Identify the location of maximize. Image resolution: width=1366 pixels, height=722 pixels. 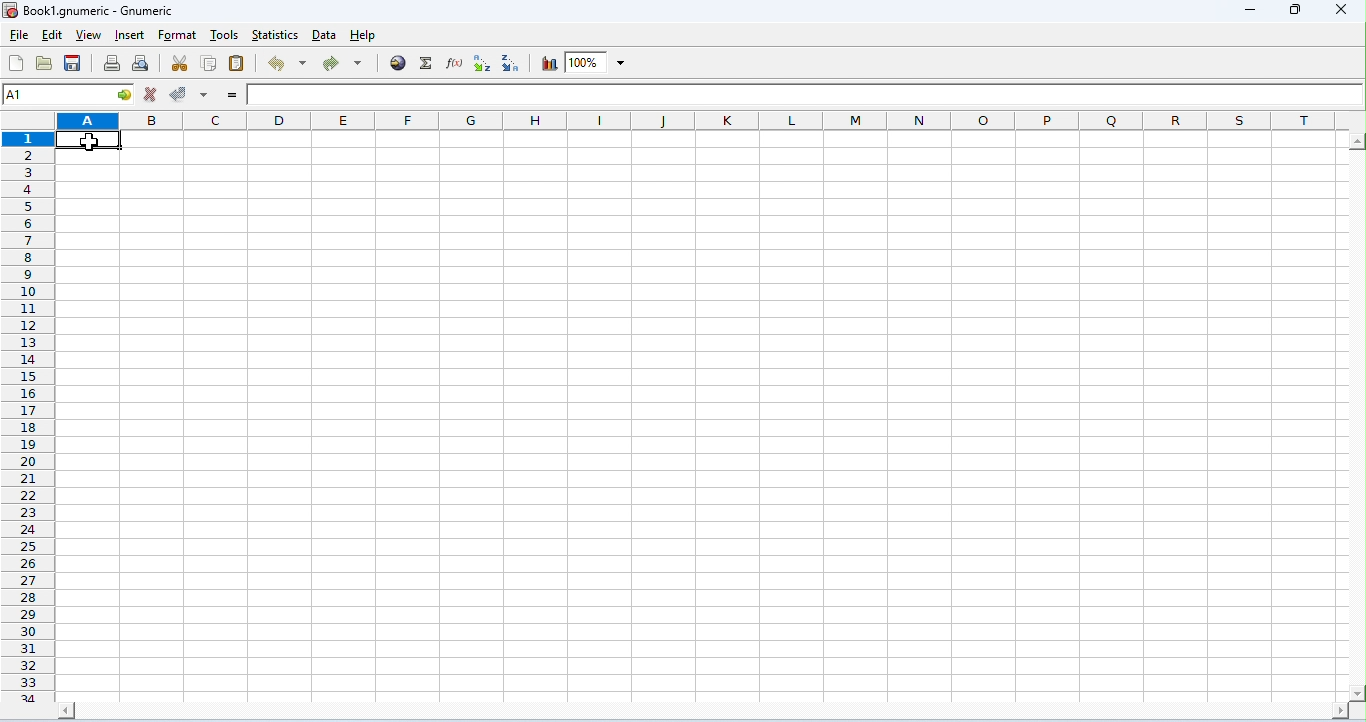
(1293, 10).